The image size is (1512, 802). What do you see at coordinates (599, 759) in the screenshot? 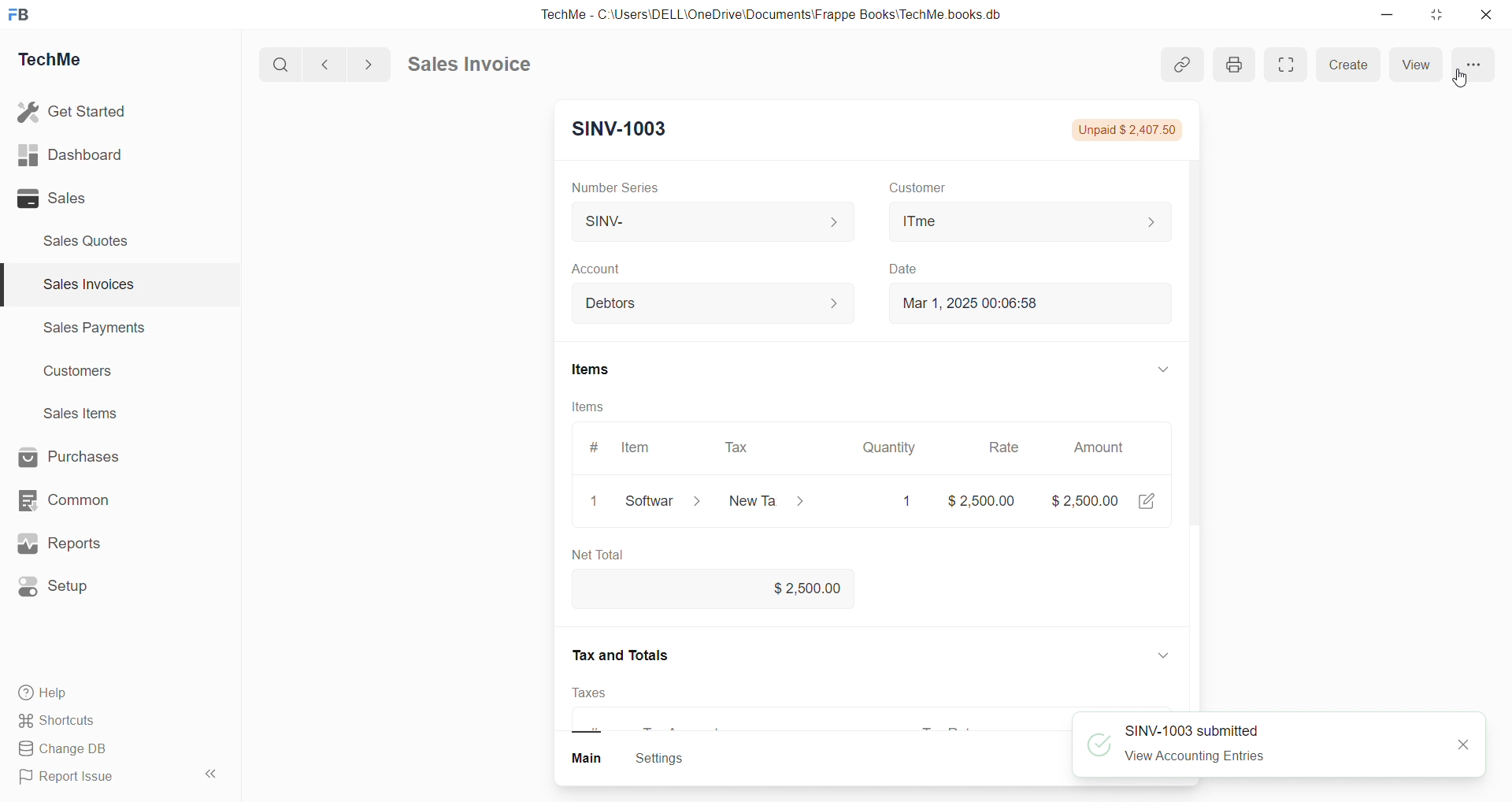
I see `Main` at bounding box center [599, 759].